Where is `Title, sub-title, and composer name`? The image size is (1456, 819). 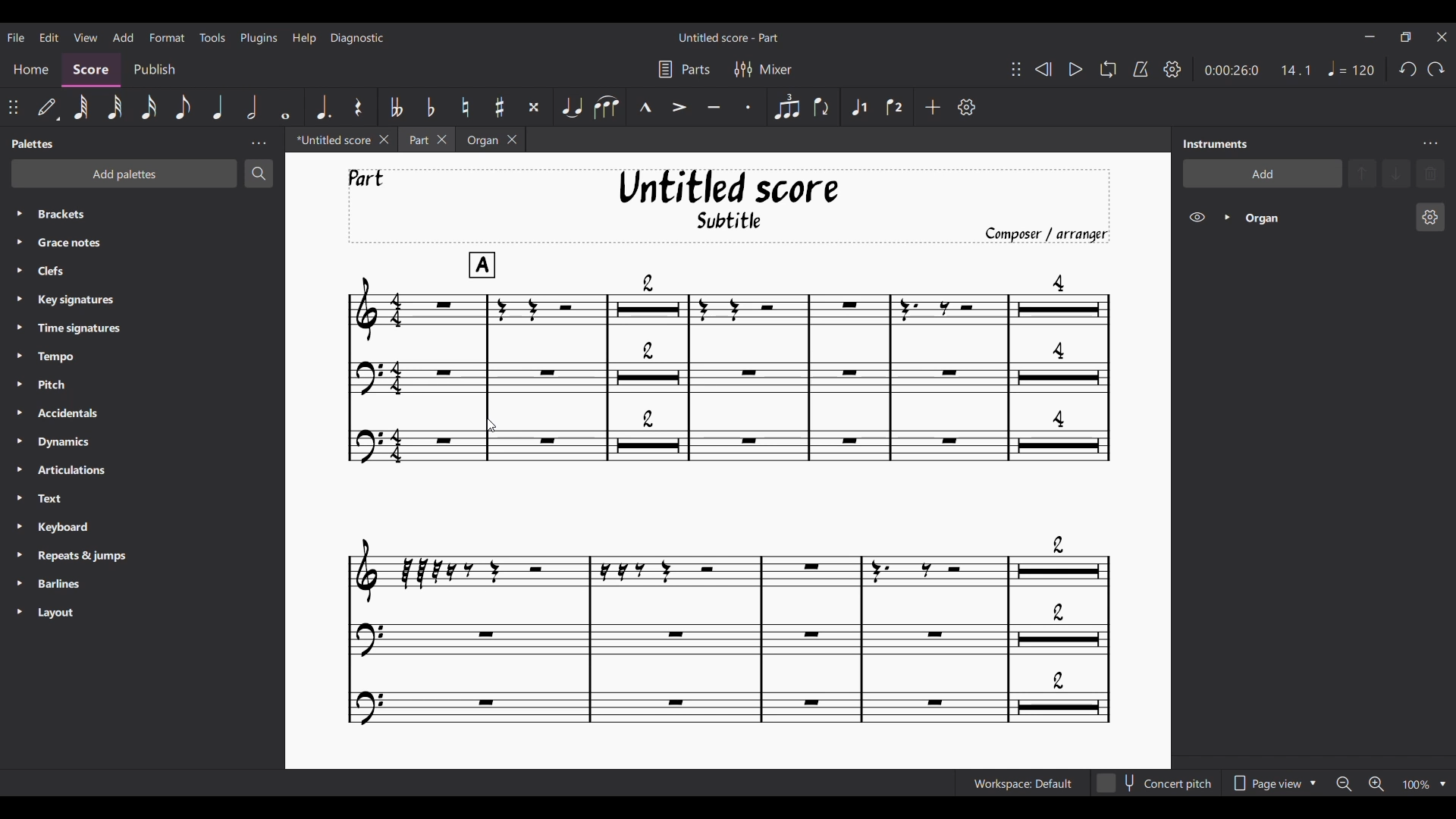 Title, sub-title, and composer name is located at coordinates (729, 206).